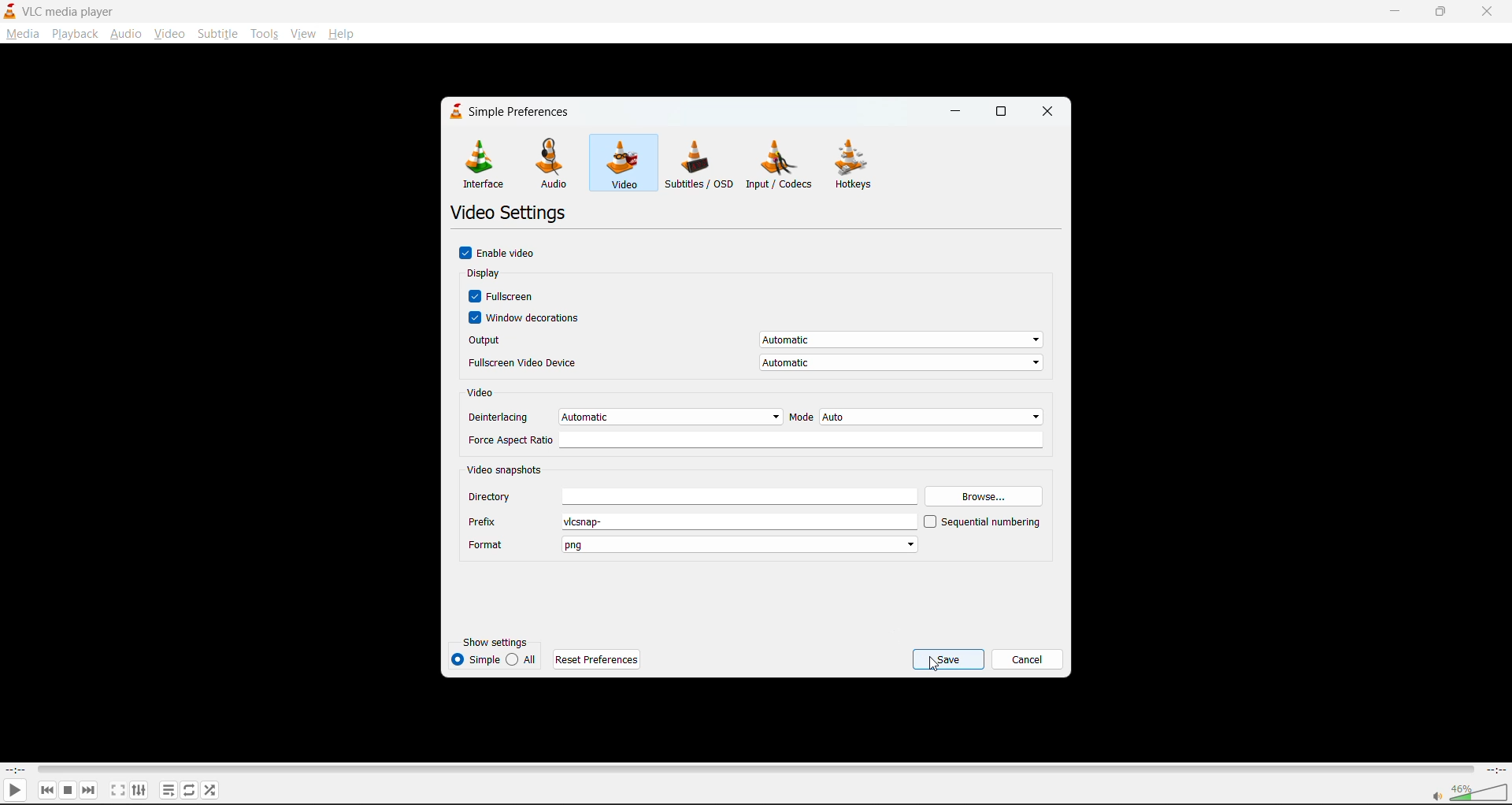 Image resolution: width=1512 pixels, height=805 pixels. Describe the element at coordinates (491, 274) in the screenshot. I see `display` at that location.